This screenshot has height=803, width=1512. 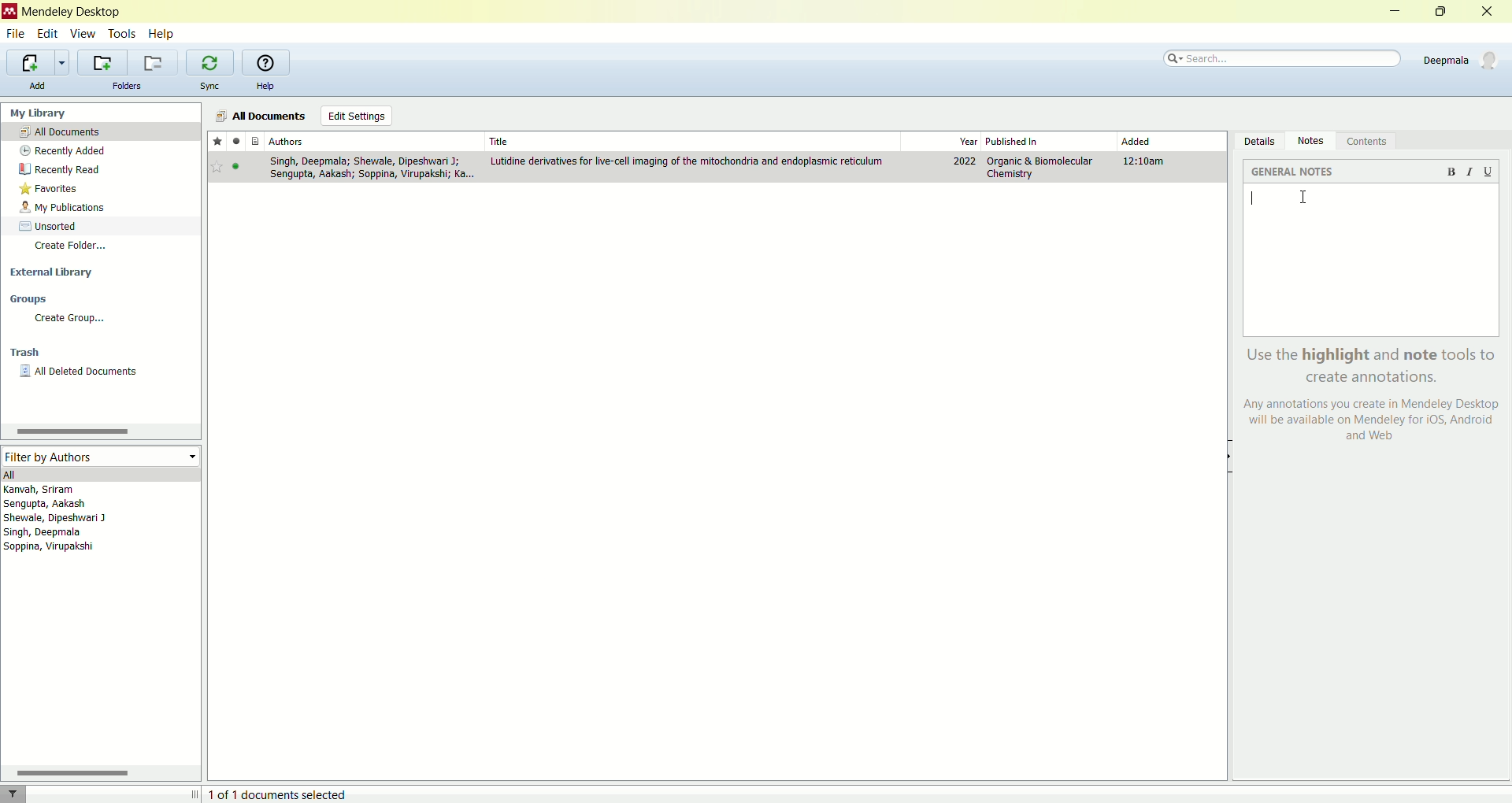 I want to click on search, so click(x=1284, y=56).